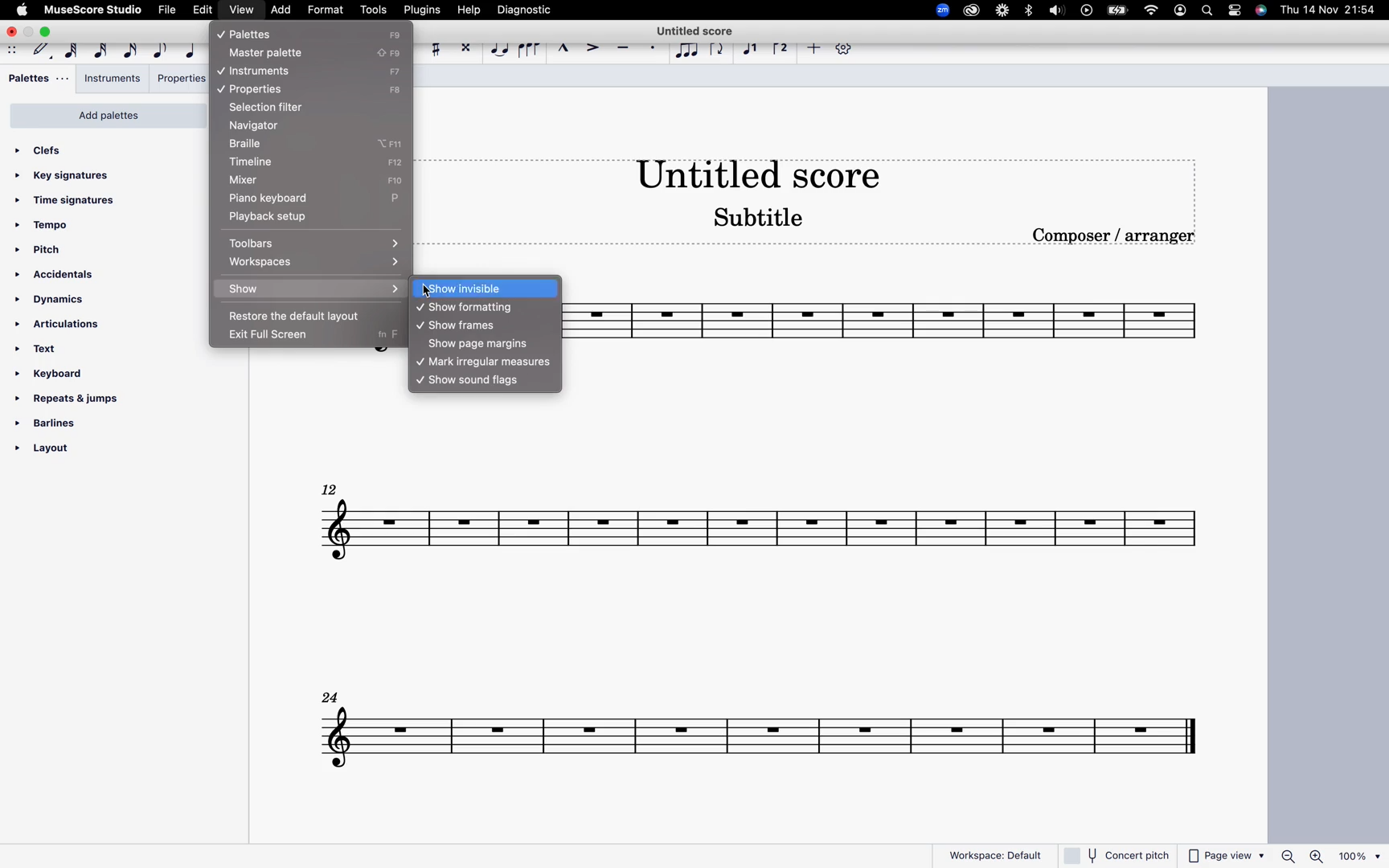  Describe the element at coordinates (297, 162) in the screenshot. I see `timeline` at that location.